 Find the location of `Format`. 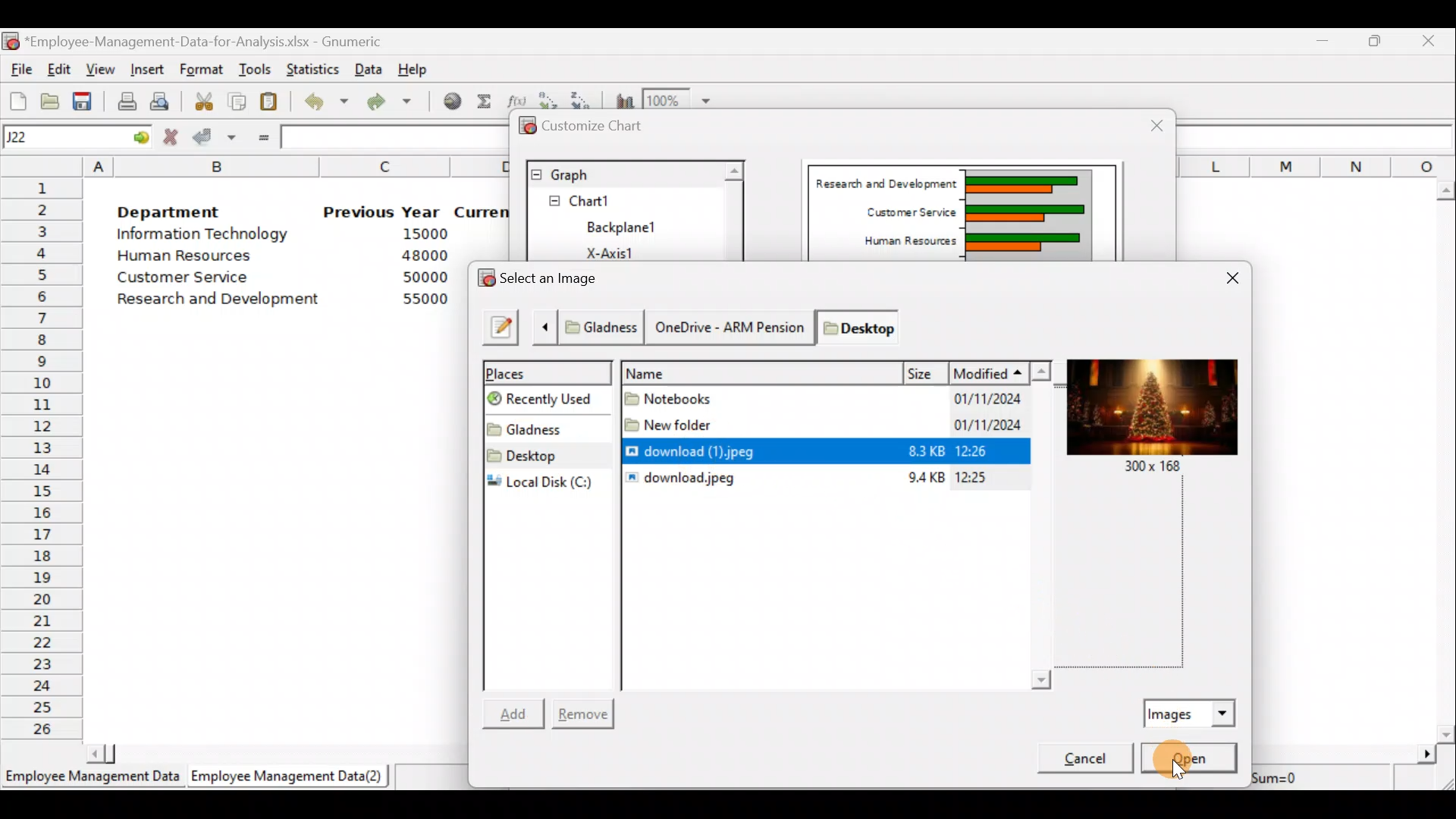

Format is located at coordinates (203, 67).